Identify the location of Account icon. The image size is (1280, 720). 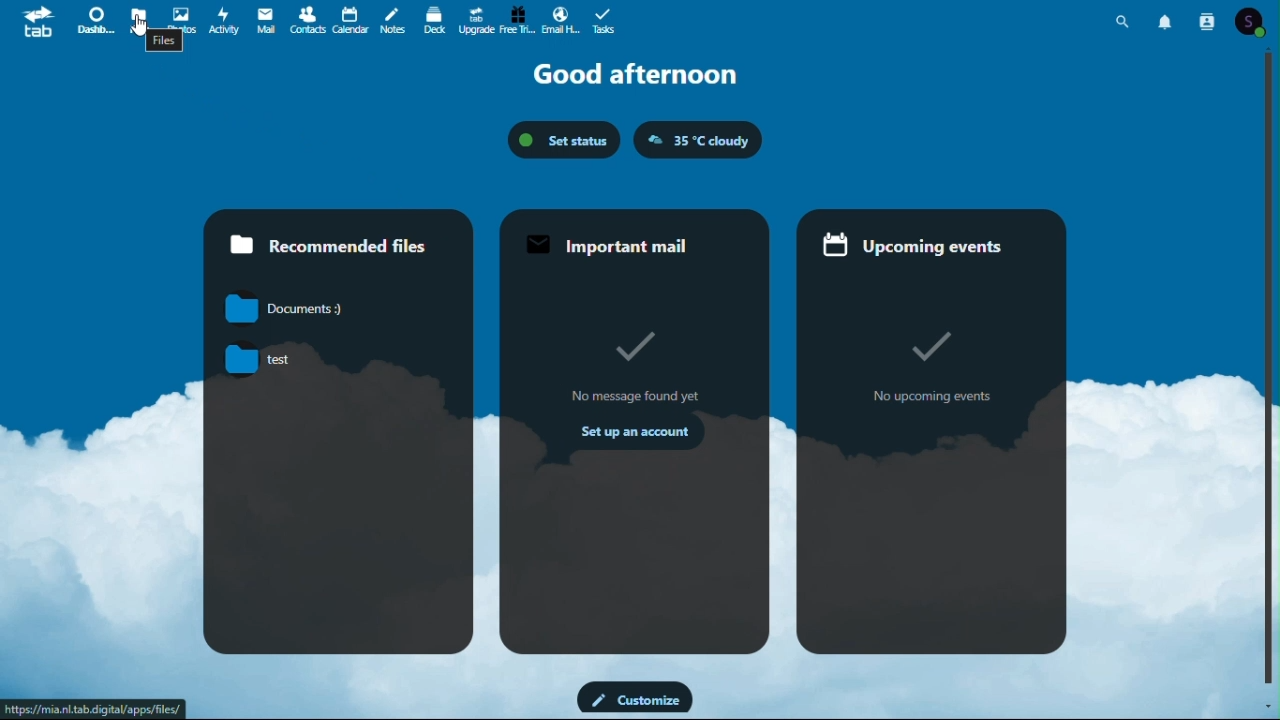
(1253, 22).